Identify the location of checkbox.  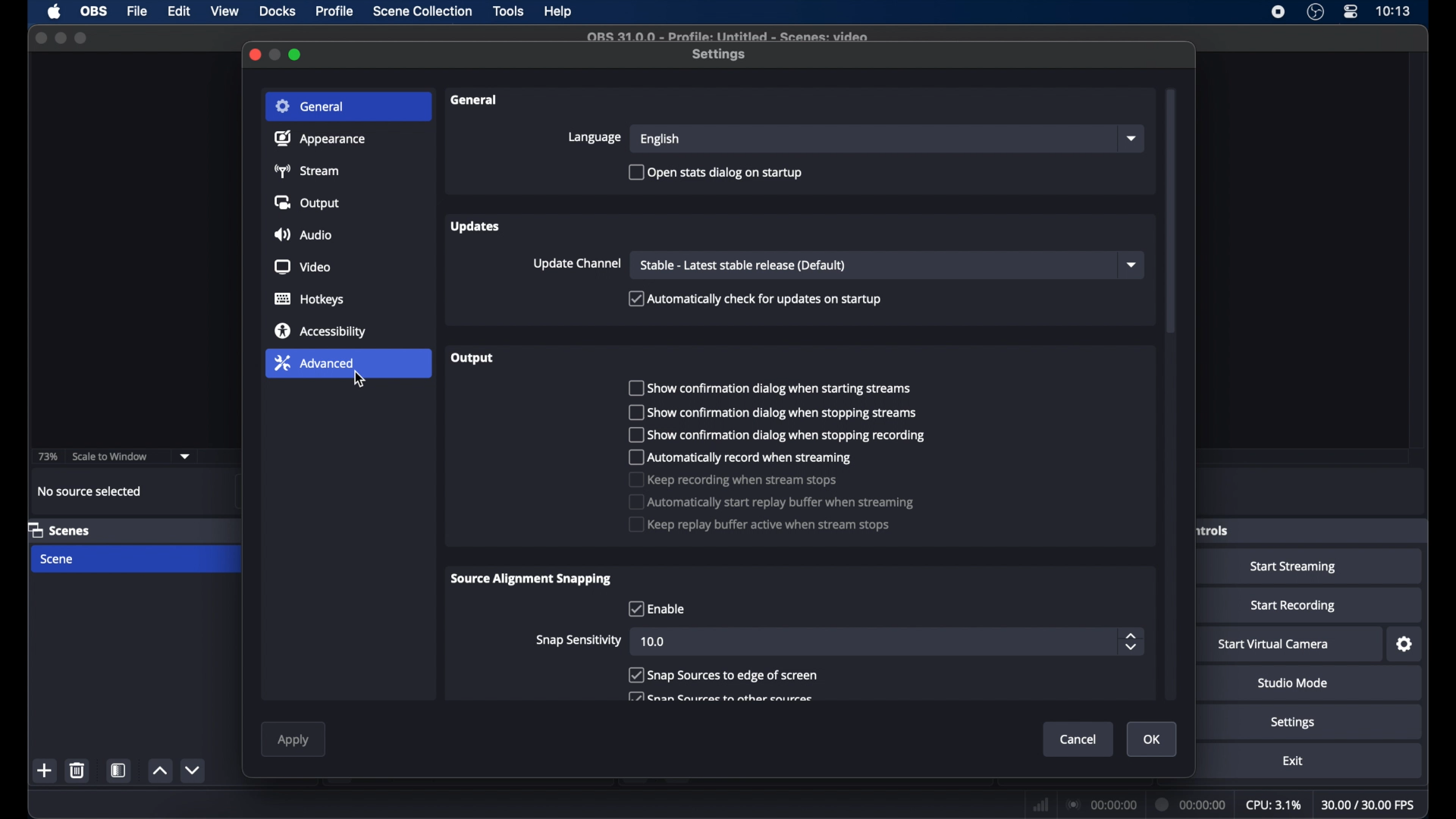
(778, 435).